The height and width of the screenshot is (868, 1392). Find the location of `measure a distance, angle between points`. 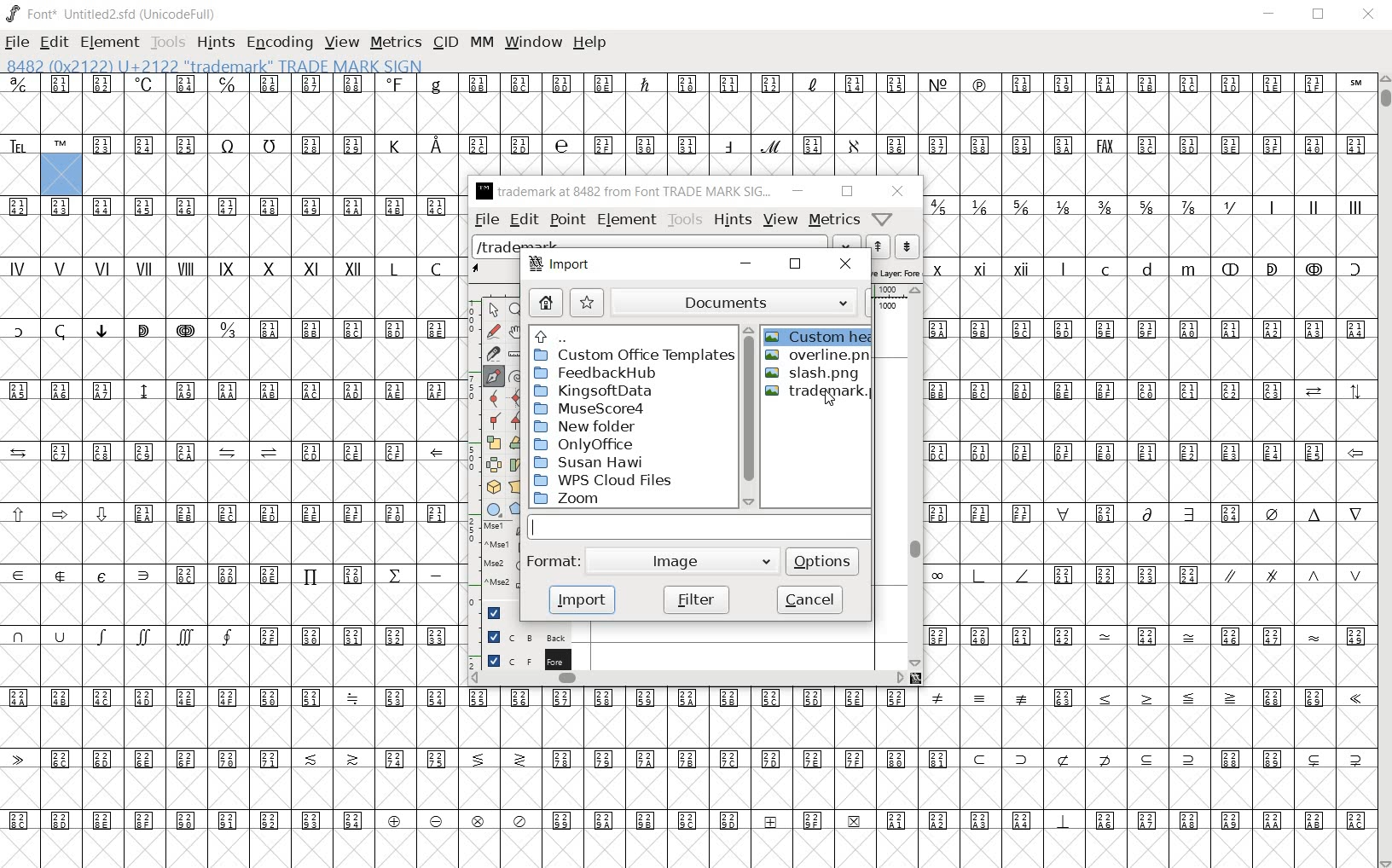

measure a distance, angle between points is located at coordinates (517, 356).